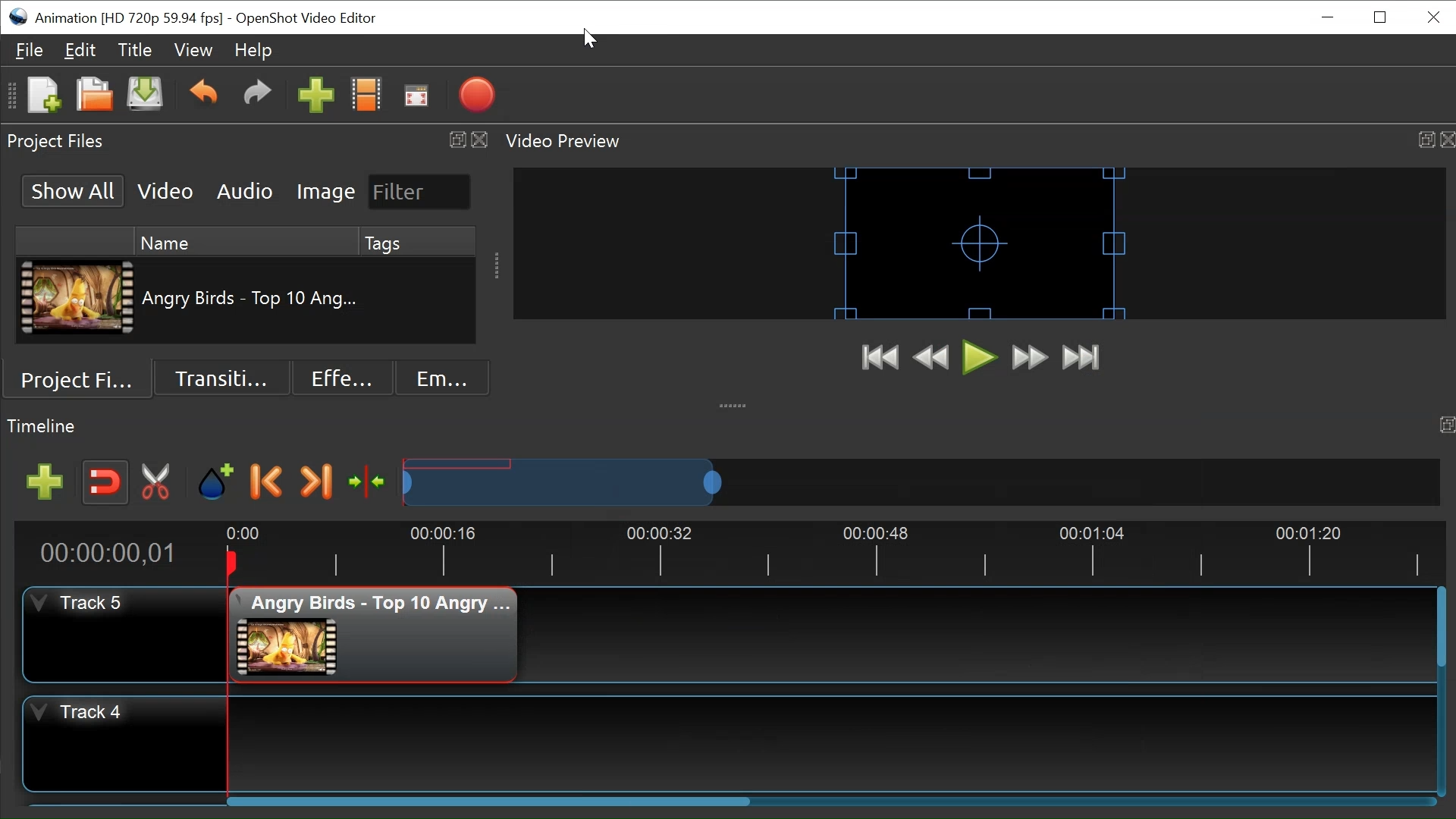  I want to click on File, so click(30, 50).